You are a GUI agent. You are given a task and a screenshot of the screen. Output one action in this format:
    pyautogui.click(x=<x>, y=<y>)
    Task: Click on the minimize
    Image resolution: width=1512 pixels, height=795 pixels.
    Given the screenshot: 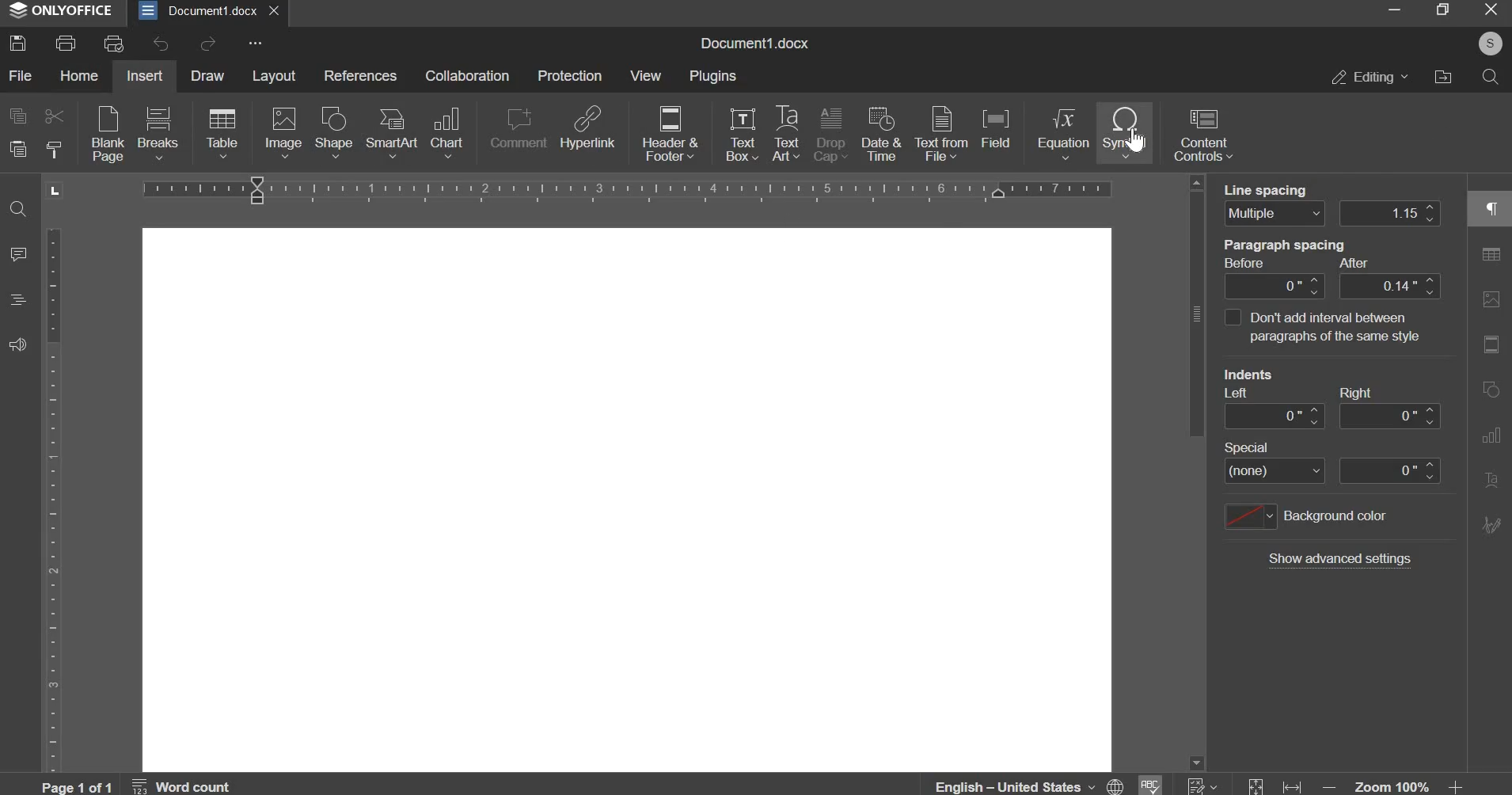 What is the action you would take?
    pyautogui.click(x=1392, y=10)
    